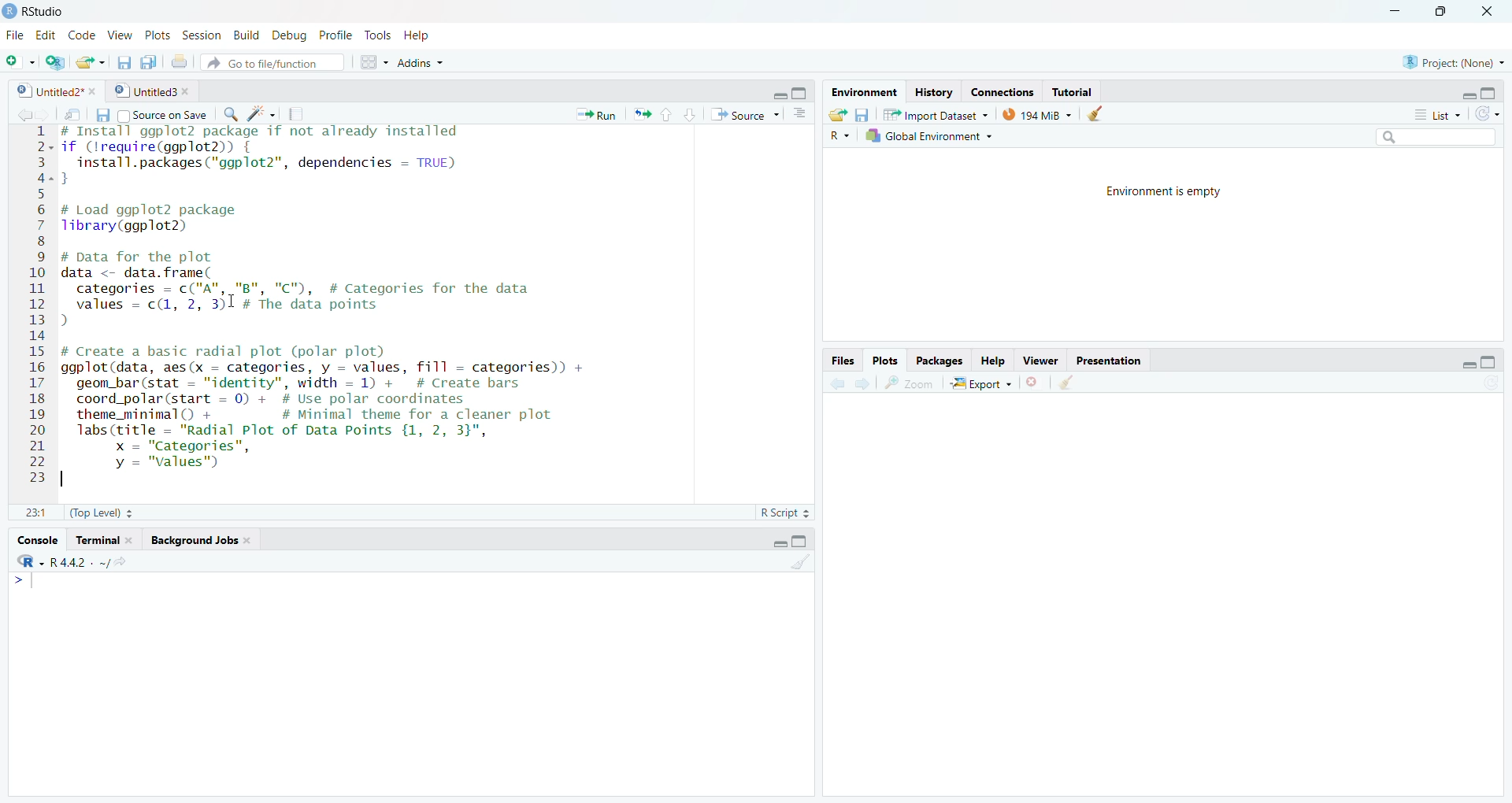 This screenshot has height=803, width=1512. Describe the element at coordinates (839, 136) in the screenshot. I see `` at that location.